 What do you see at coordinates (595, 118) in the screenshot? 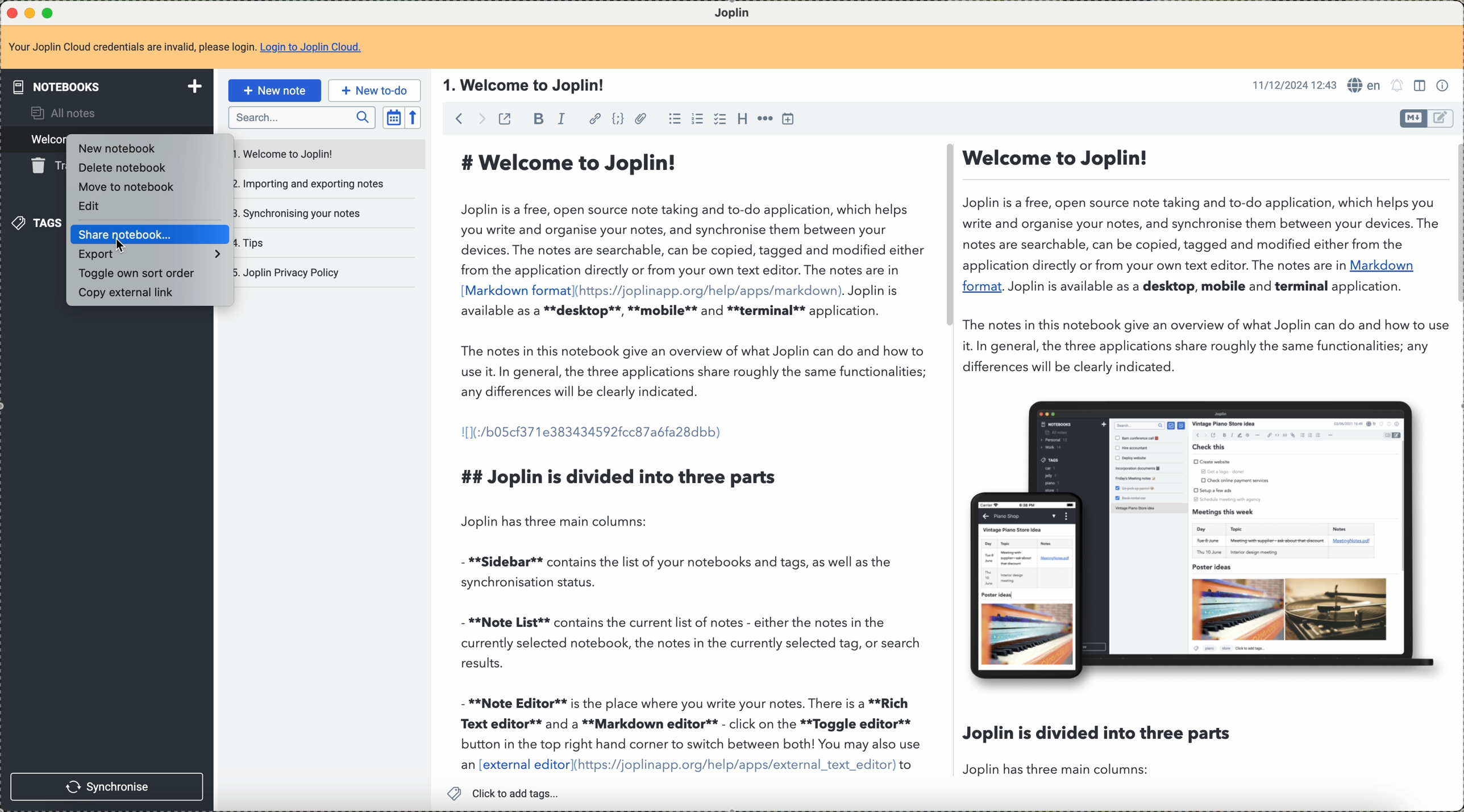
I see `hyperlink` at bounding box center [595, 118].